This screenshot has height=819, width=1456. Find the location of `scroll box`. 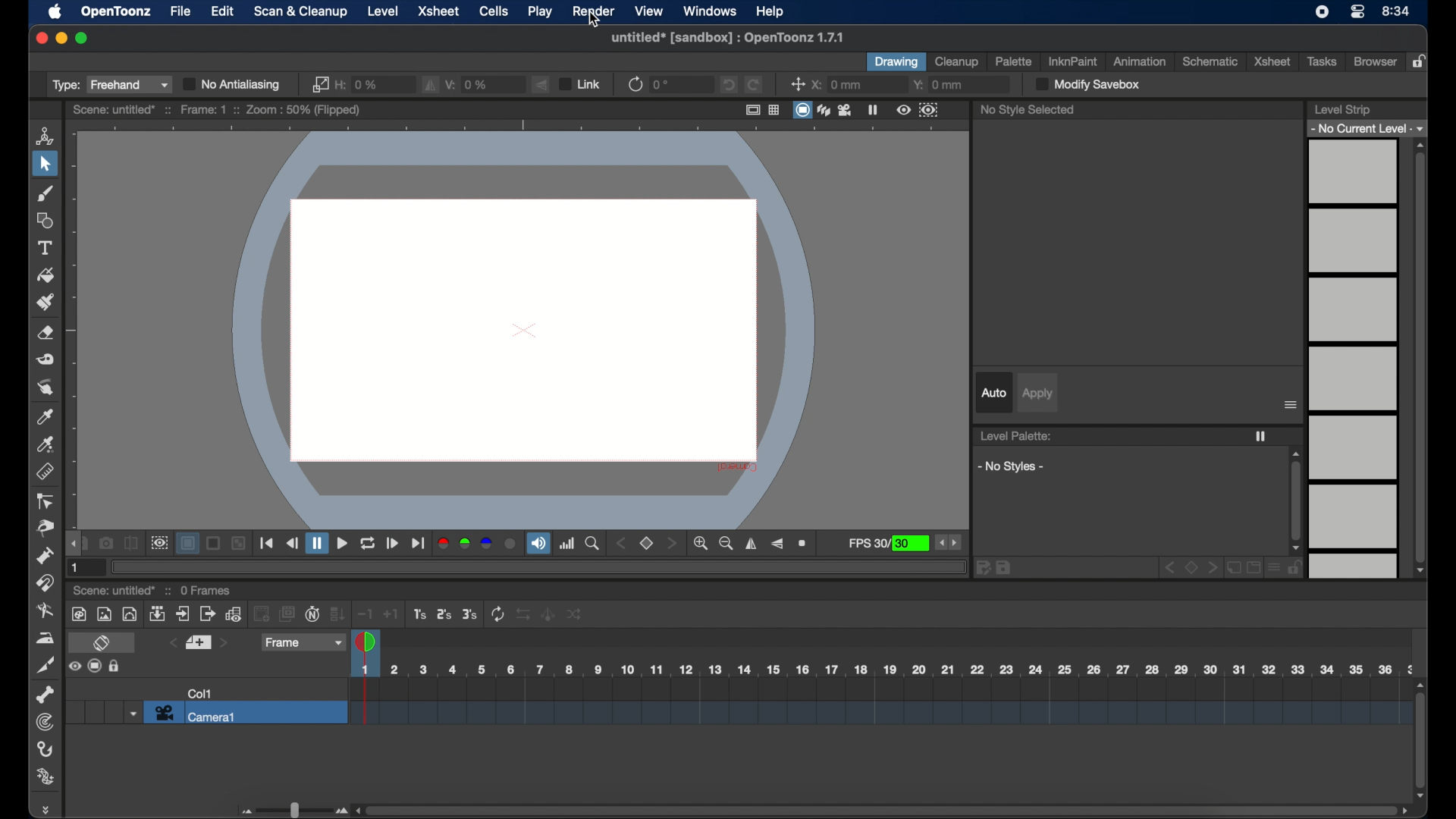

scroll box is located at coordinates (1420, 358).